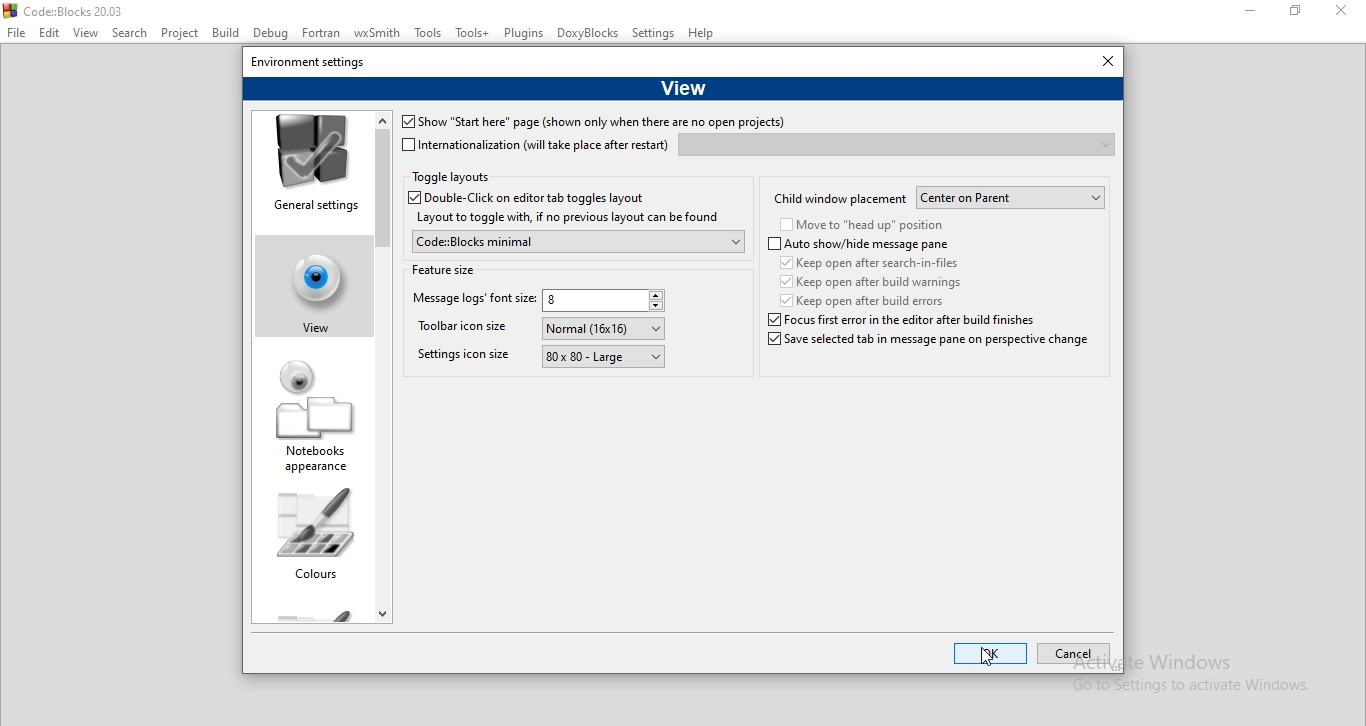 The width and height of the screenshot is (1366, 726). What do you see at coordinates (605, 302) in the screenshot?
I see `8` at bounding box center [605, 302].